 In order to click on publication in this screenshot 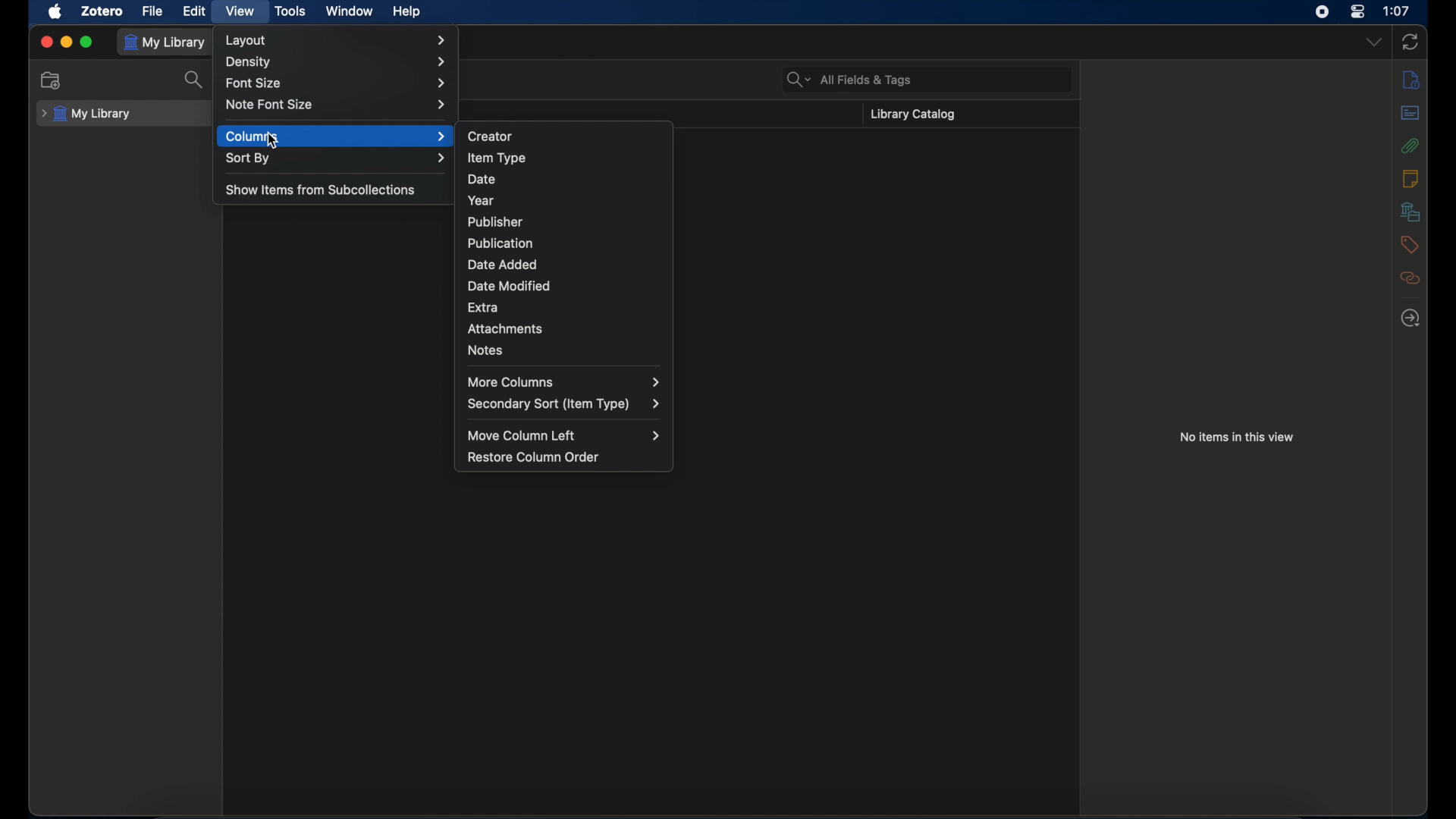, I will do `click(500, 243)`.